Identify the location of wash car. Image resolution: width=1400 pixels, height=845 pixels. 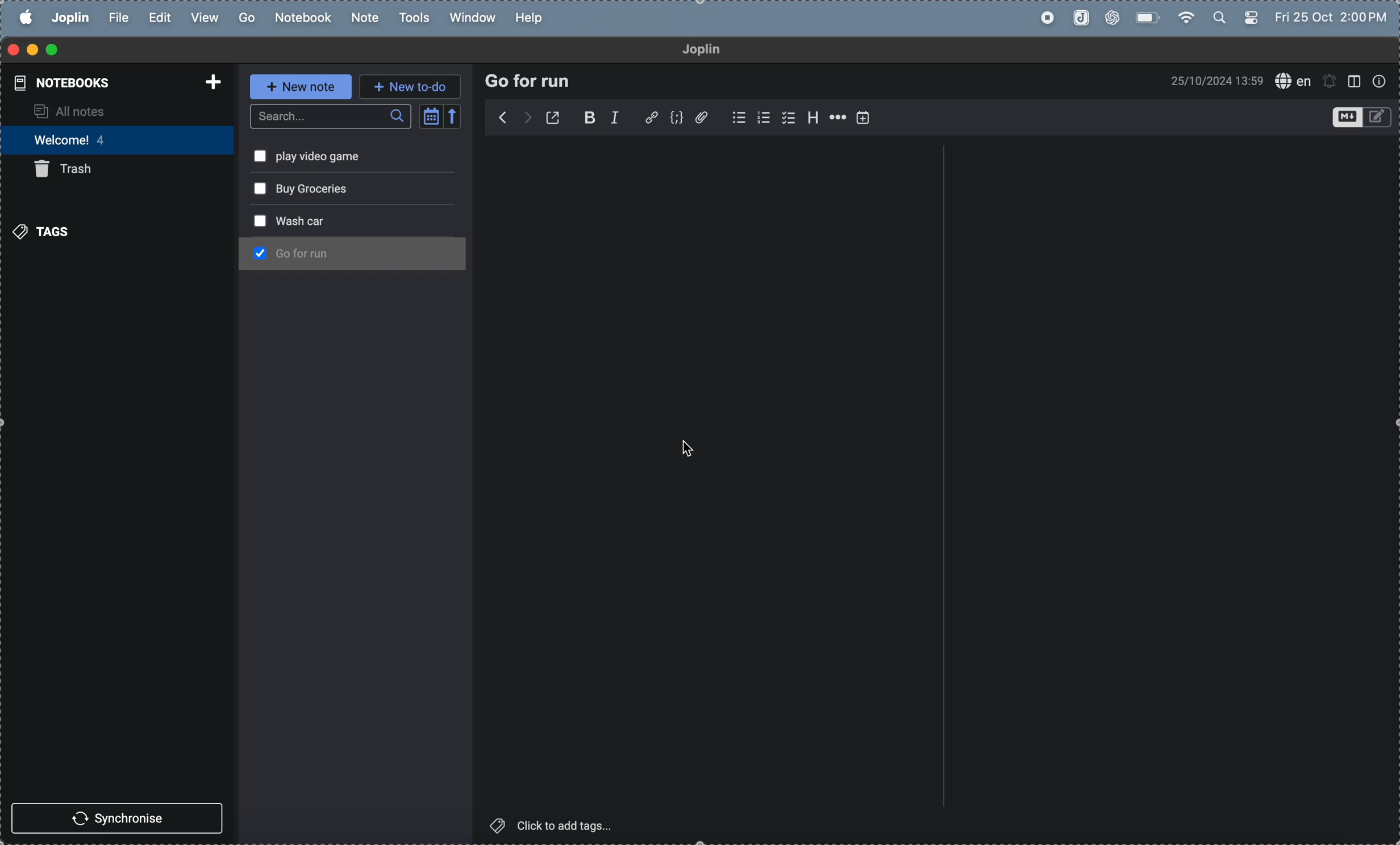
(327, 251).